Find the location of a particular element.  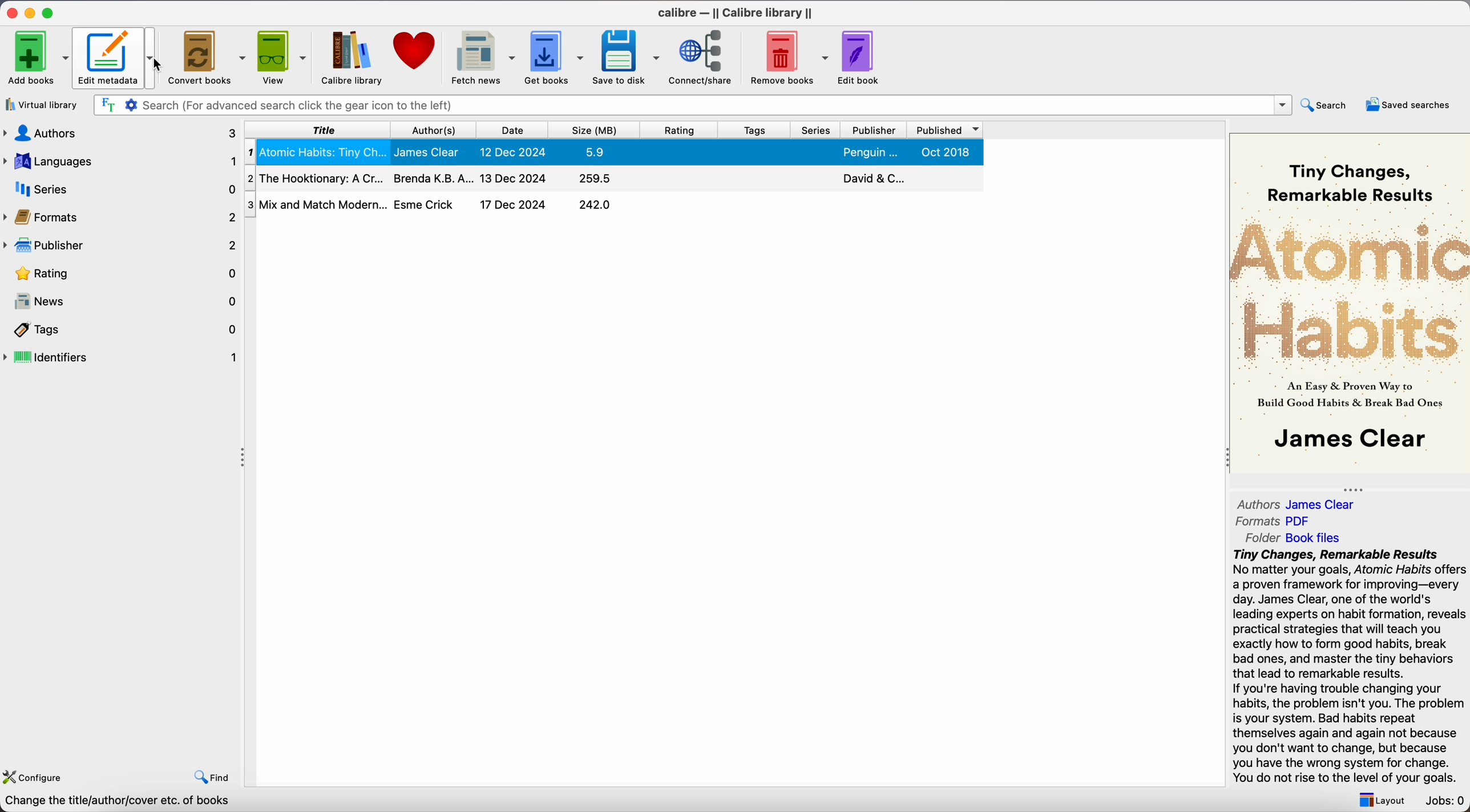

publisher is located at coordinates (119, 246).